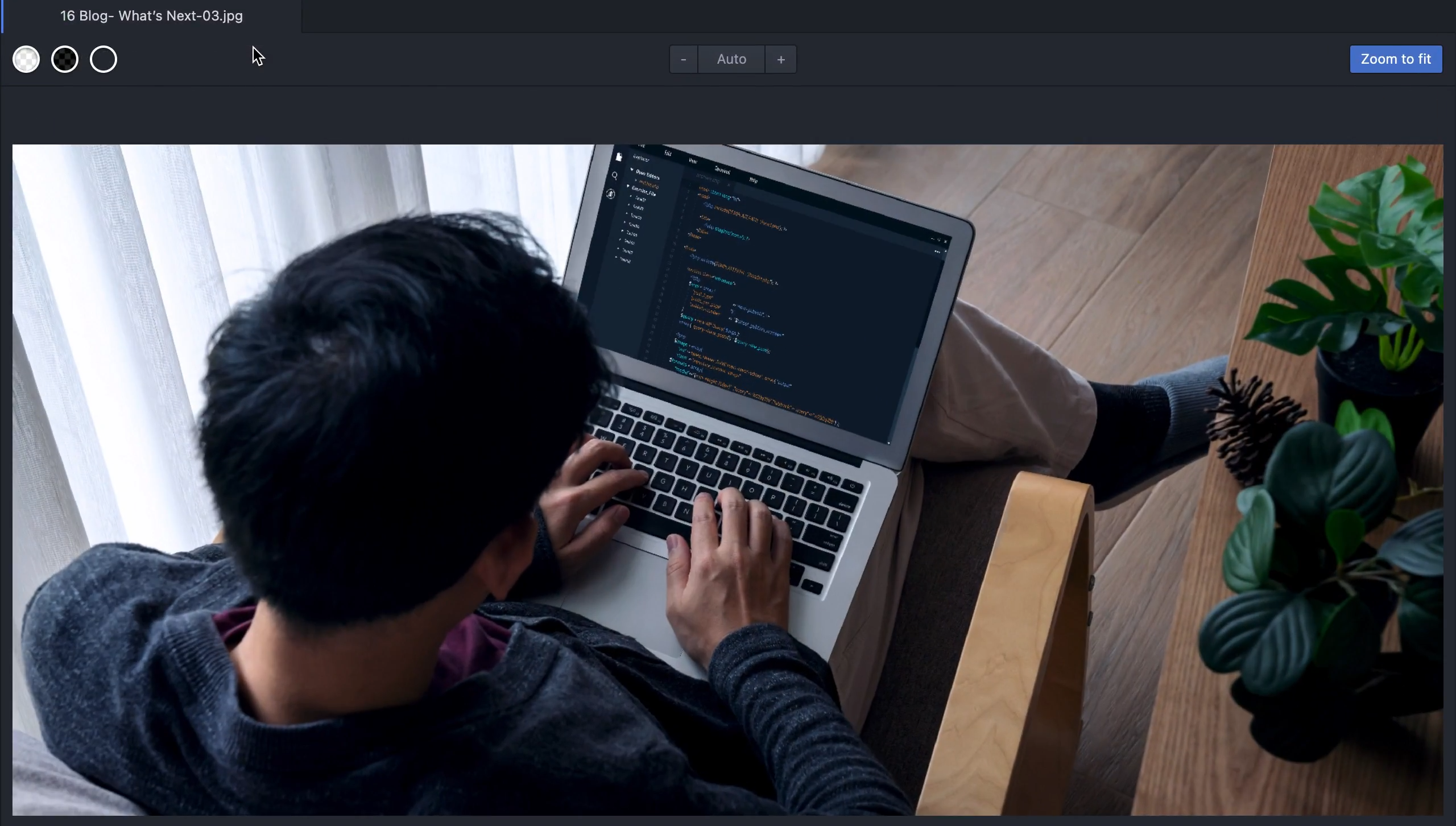 Image resolution: width=1456 pixels, height=826 pixels. What do you see at coordinates (68, 65) in the screenshot?
I see `use black transparent background` at bounding box center [68, 65].